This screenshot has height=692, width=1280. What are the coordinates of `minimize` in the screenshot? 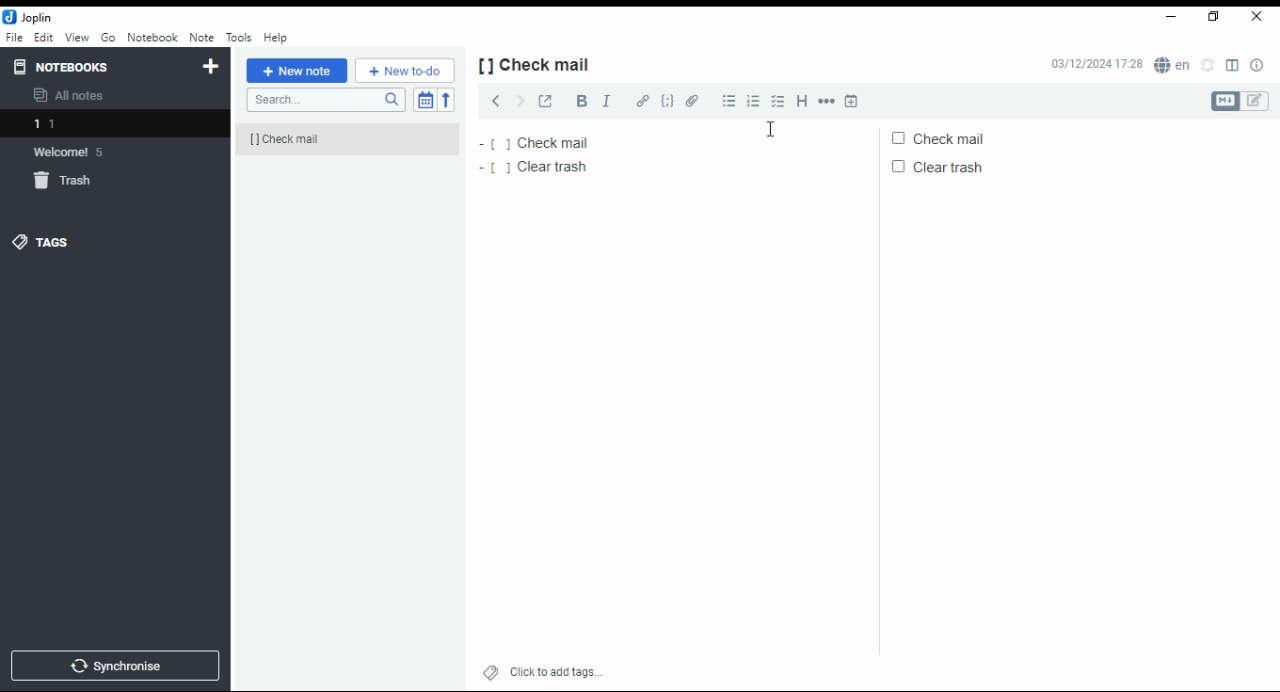 It's located at (1170, 16).